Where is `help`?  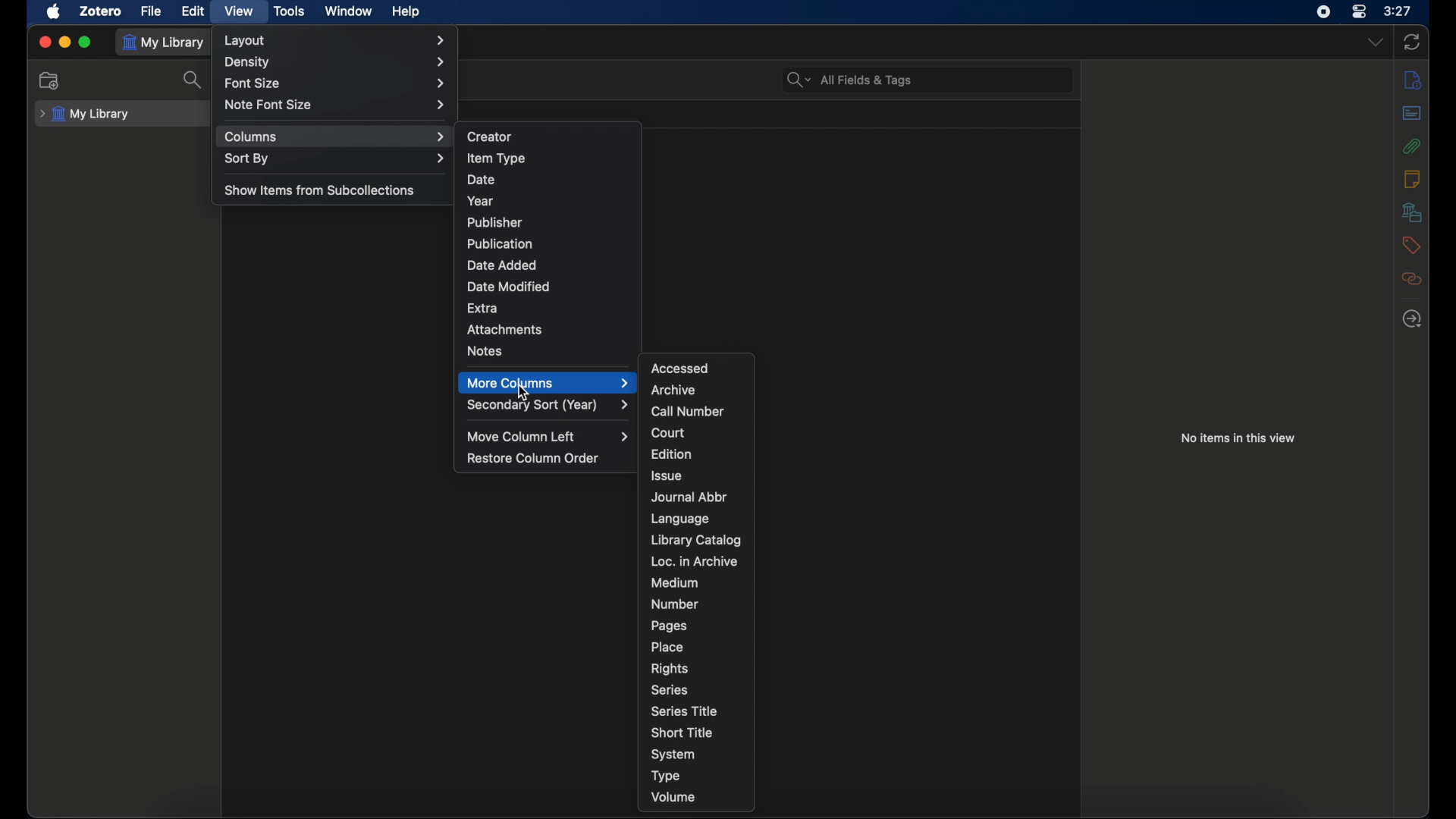 help is located at coordinates (406, 12).